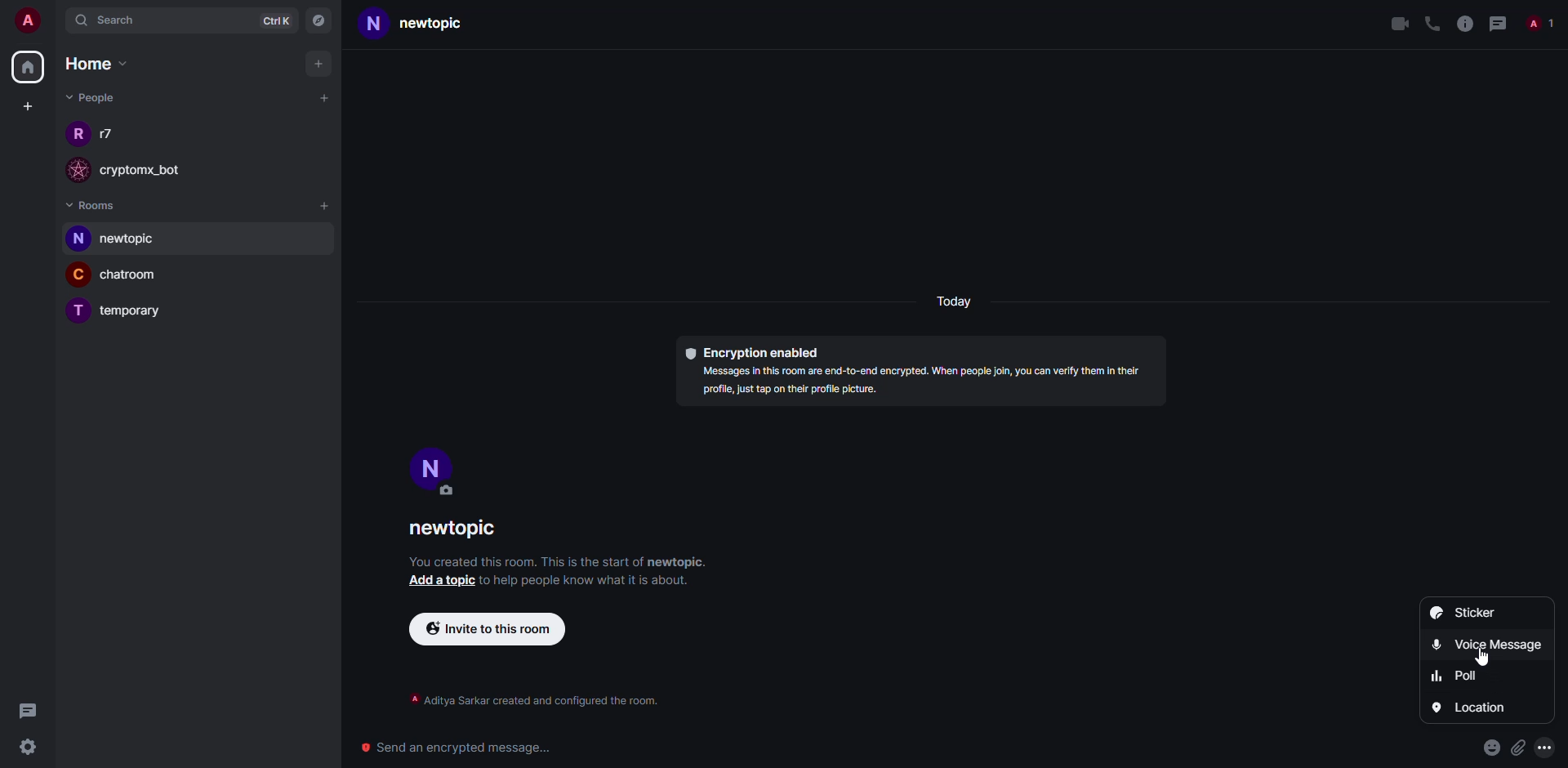  What do you see at coordinates (1429, 23) in the screenshot?
I see `voice call` at bounding box center [1429, 23].